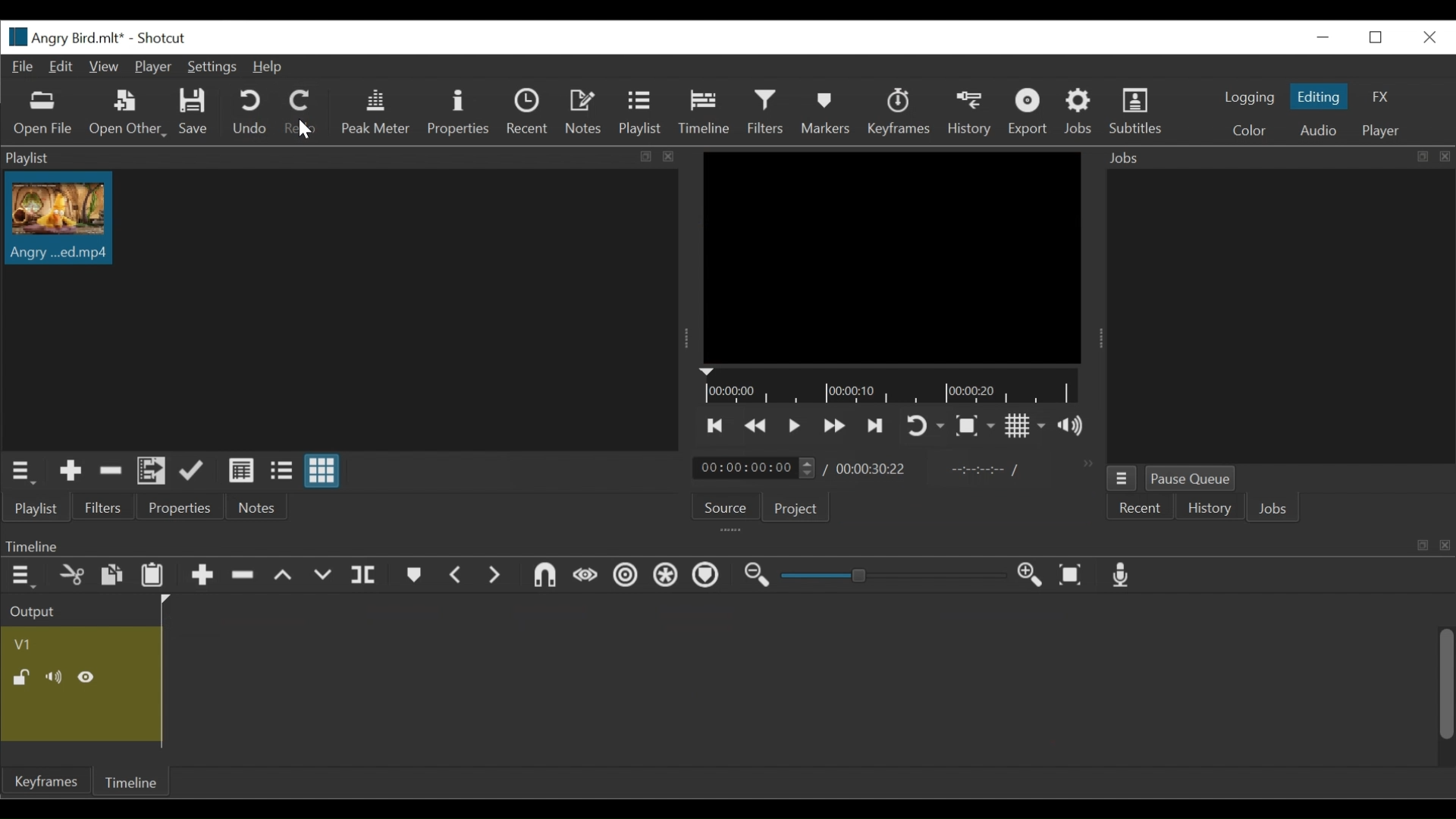 The height and width of the screenshot is (819, 1456). Describe the element at coordinates (893, 259) in the screenshot. I see `Media Viewer` at that location.